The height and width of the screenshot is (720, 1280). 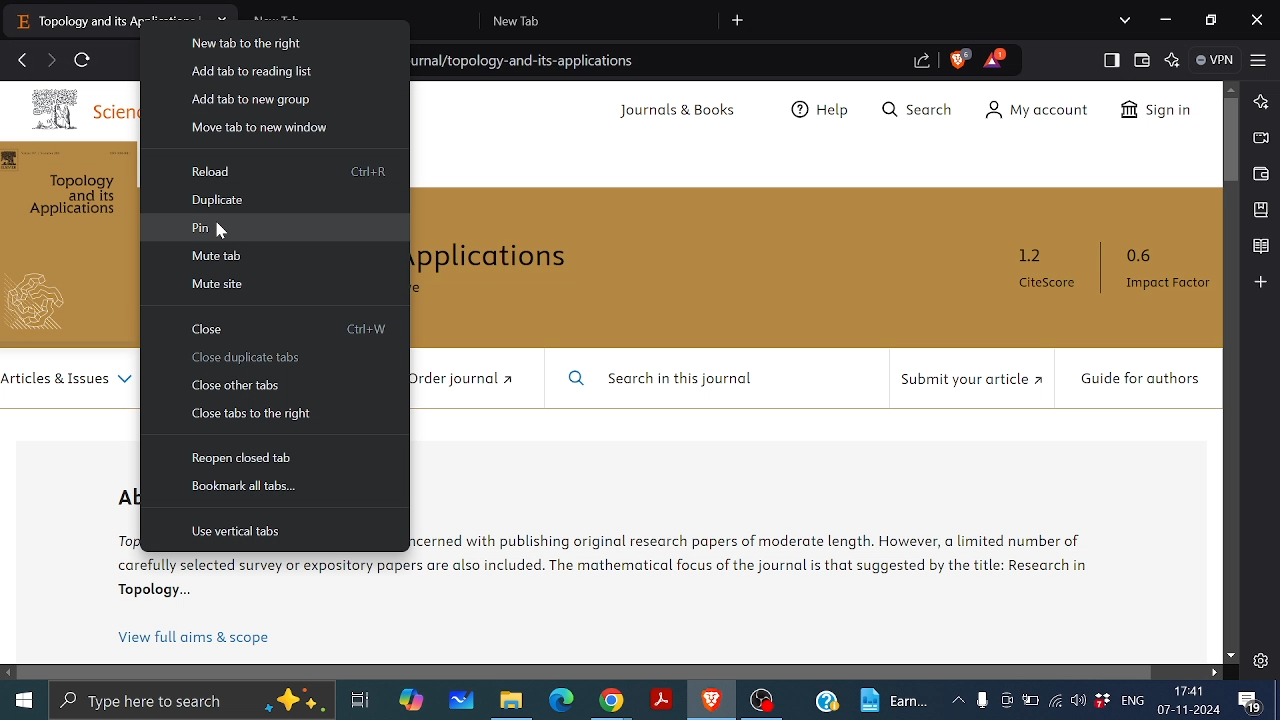 What do you see at coordinates (1261, 173) in the screenshot?
I see `Brave wallet` at bounding box center [1261, 173].